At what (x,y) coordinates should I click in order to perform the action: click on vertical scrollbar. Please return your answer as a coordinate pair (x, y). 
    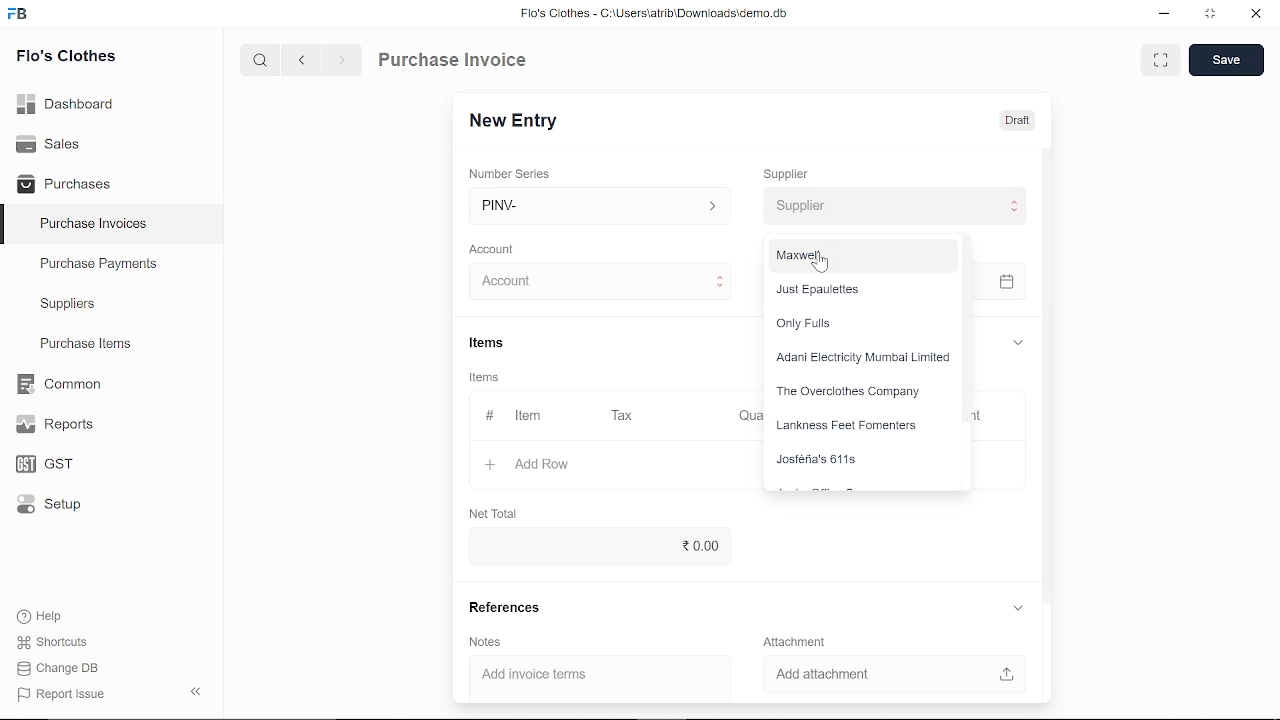
    Looking at the image, I should click on (1047, 373).